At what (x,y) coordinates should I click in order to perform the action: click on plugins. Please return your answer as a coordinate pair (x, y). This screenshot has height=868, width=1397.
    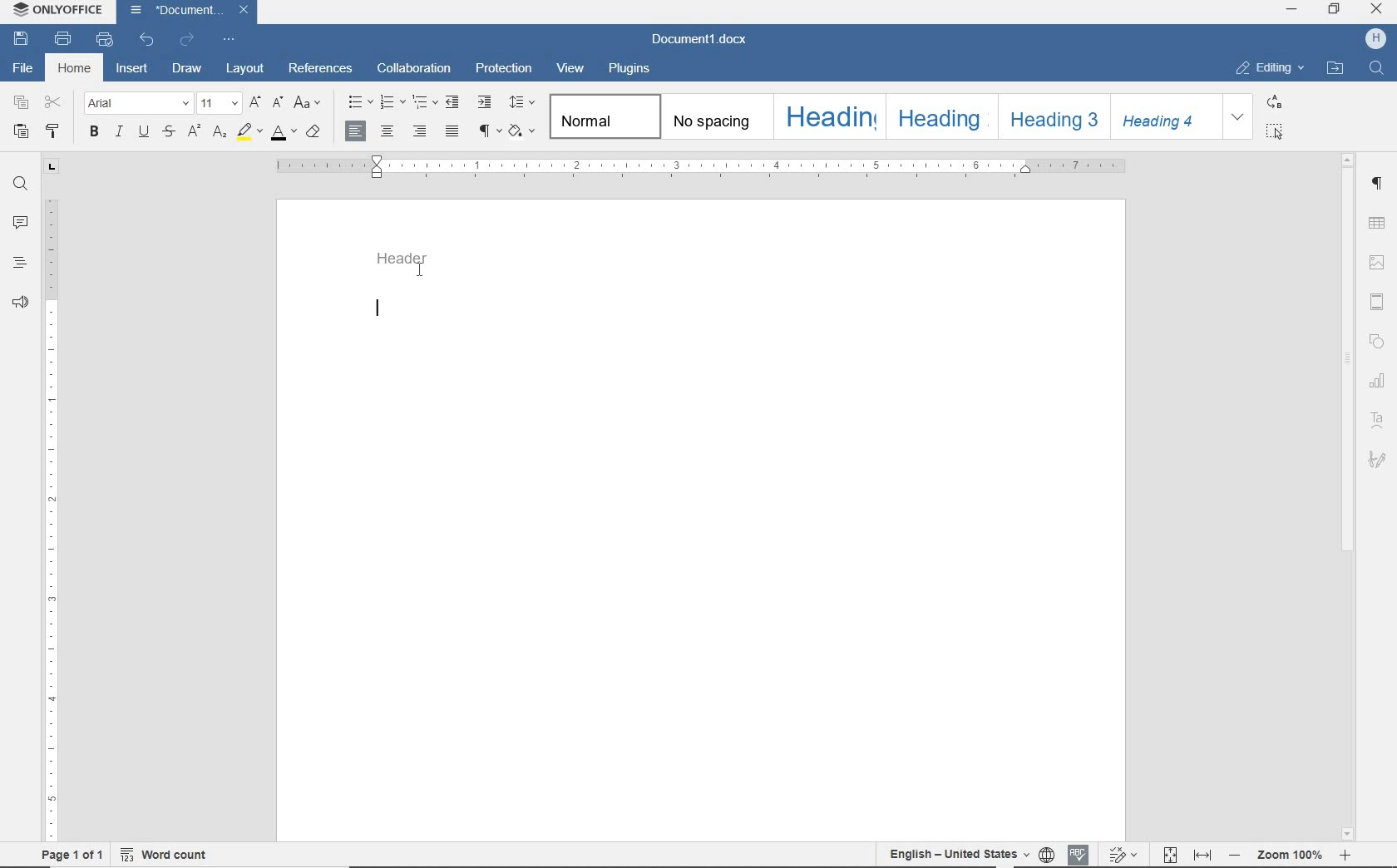
    Looking at the image, I should click on (633, 67).